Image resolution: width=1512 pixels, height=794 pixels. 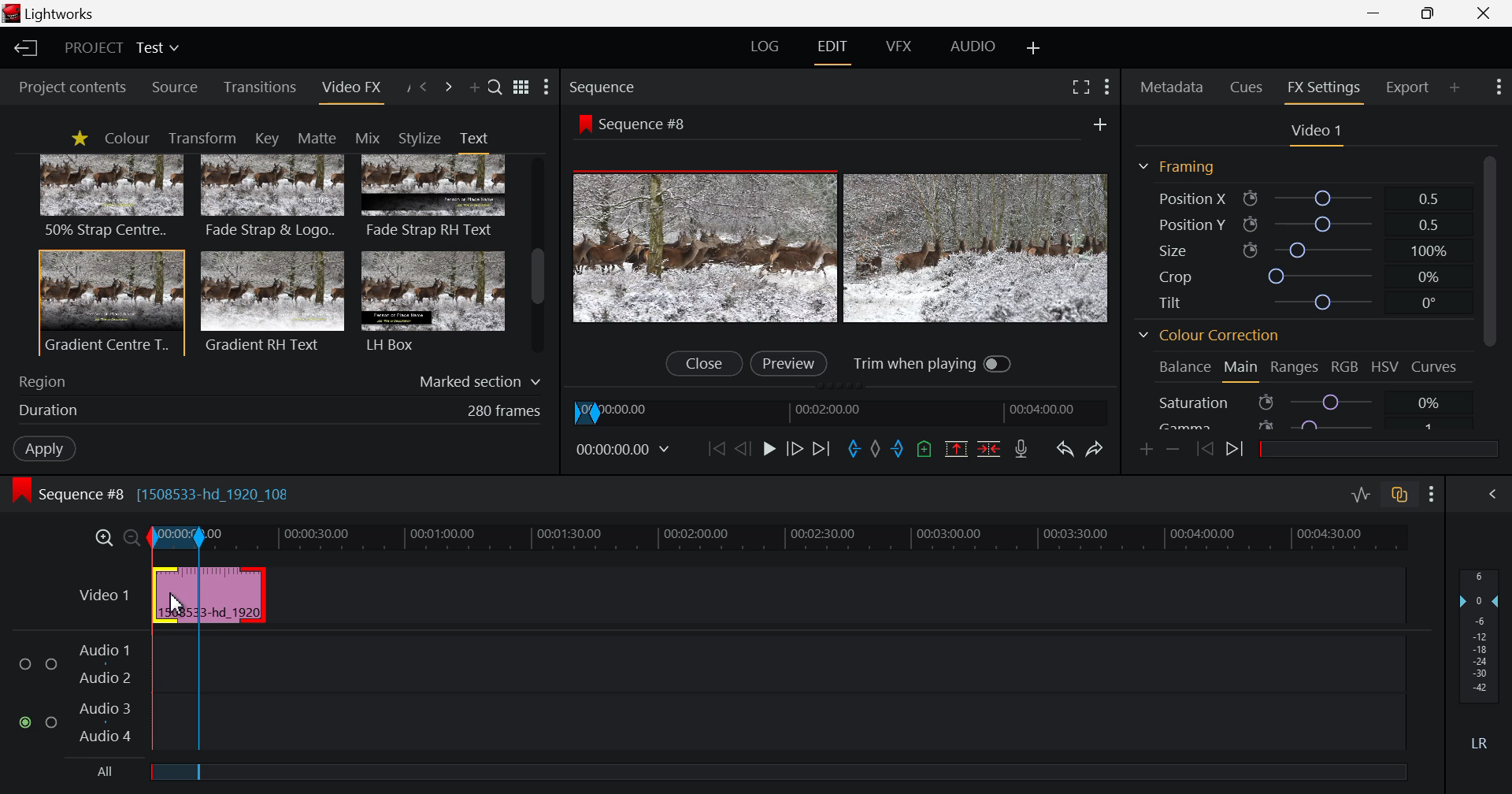 I want to click on Remove all marks, so click(x=874, y=450).